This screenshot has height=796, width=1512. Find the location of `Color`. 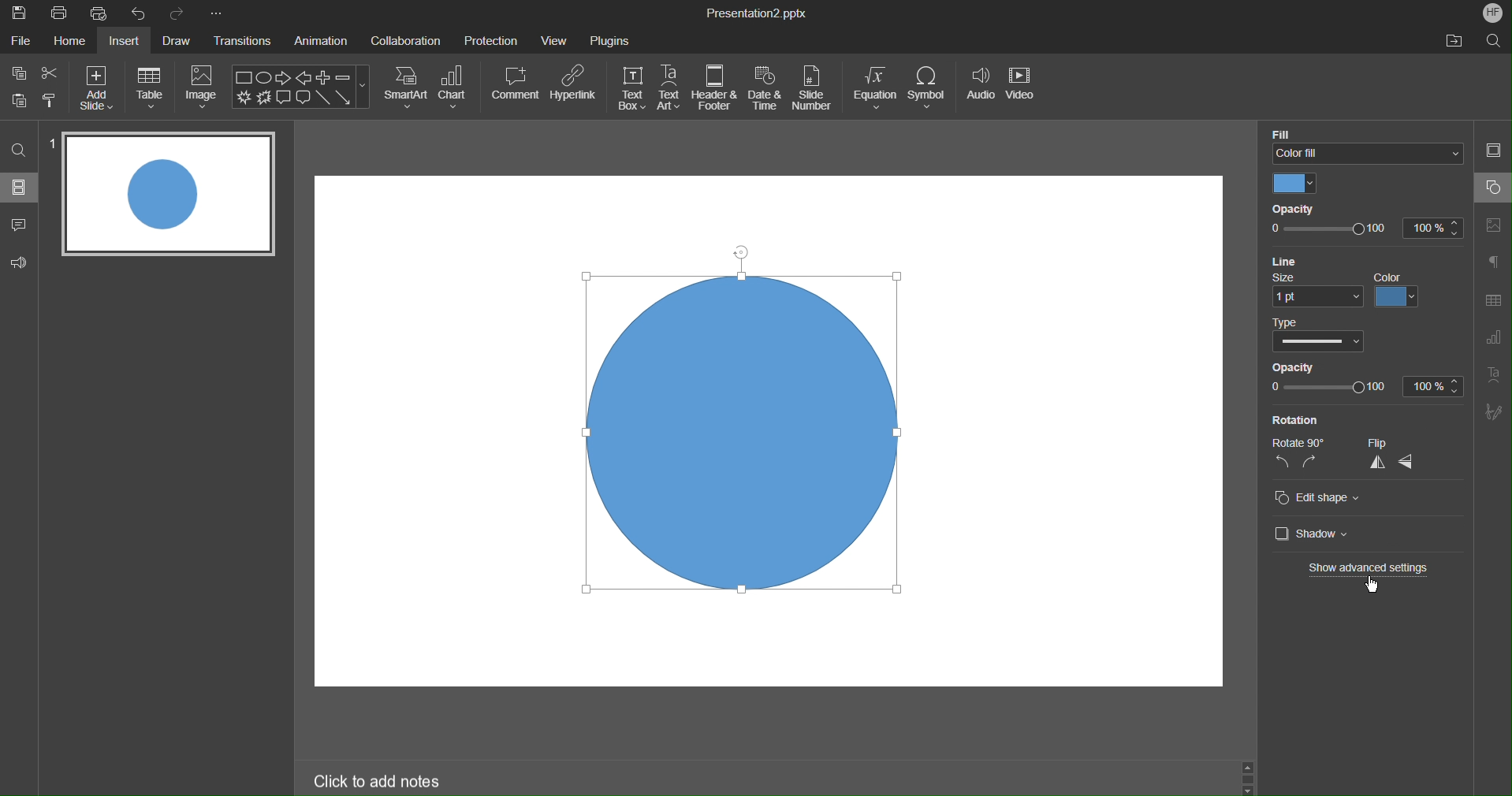

Color is located at coordinates (1294, 184).